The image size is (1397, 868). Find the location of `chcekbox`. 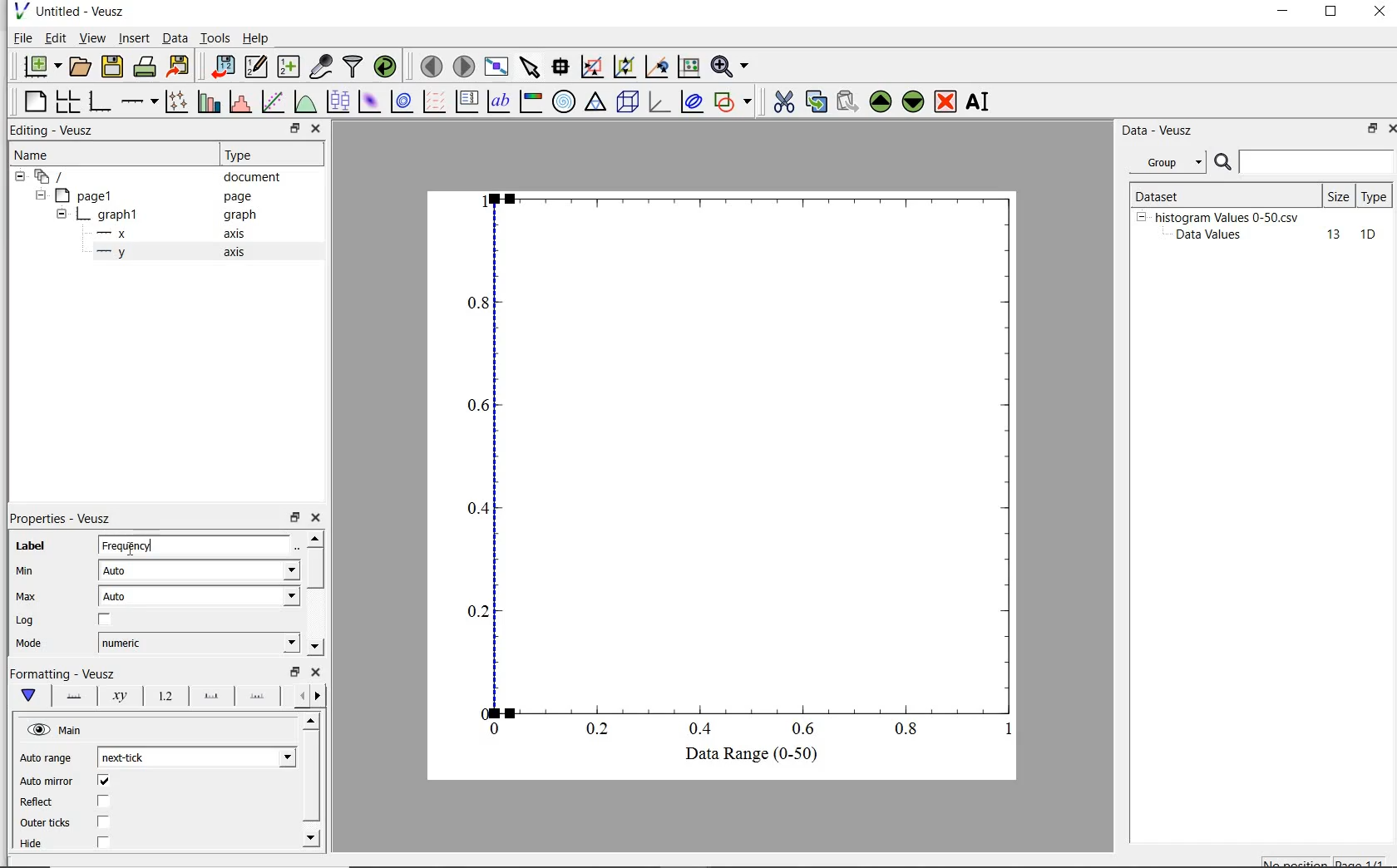

chcekbox is located at coordinates (106, 620).